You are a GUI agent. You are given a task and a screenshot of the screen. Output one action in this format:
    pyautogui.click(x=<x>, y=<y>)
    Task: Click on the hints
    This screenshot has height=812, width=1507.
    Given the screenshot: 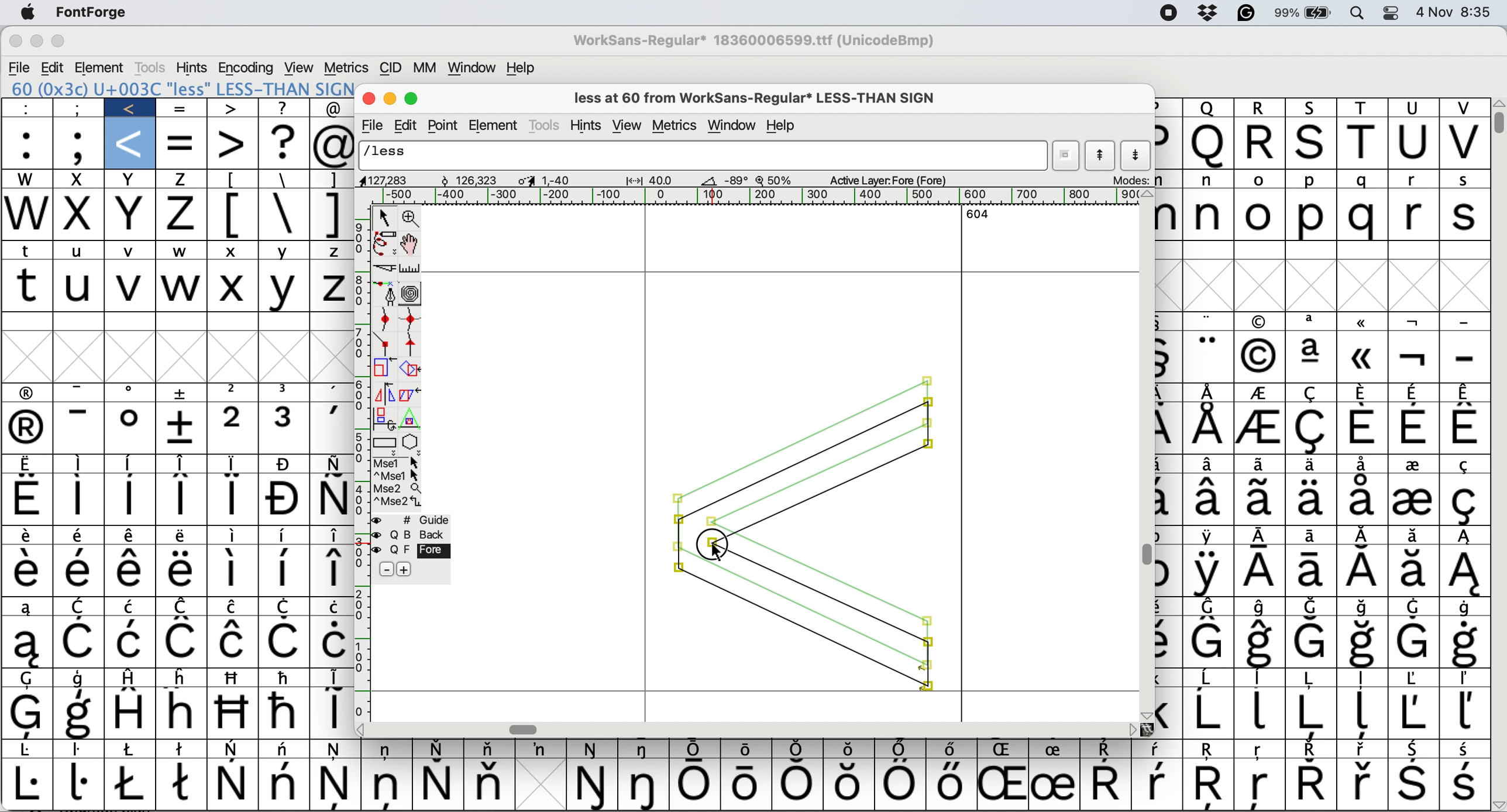 What is the action you would take?
    pyautogui.click(x=192, y=67)
    